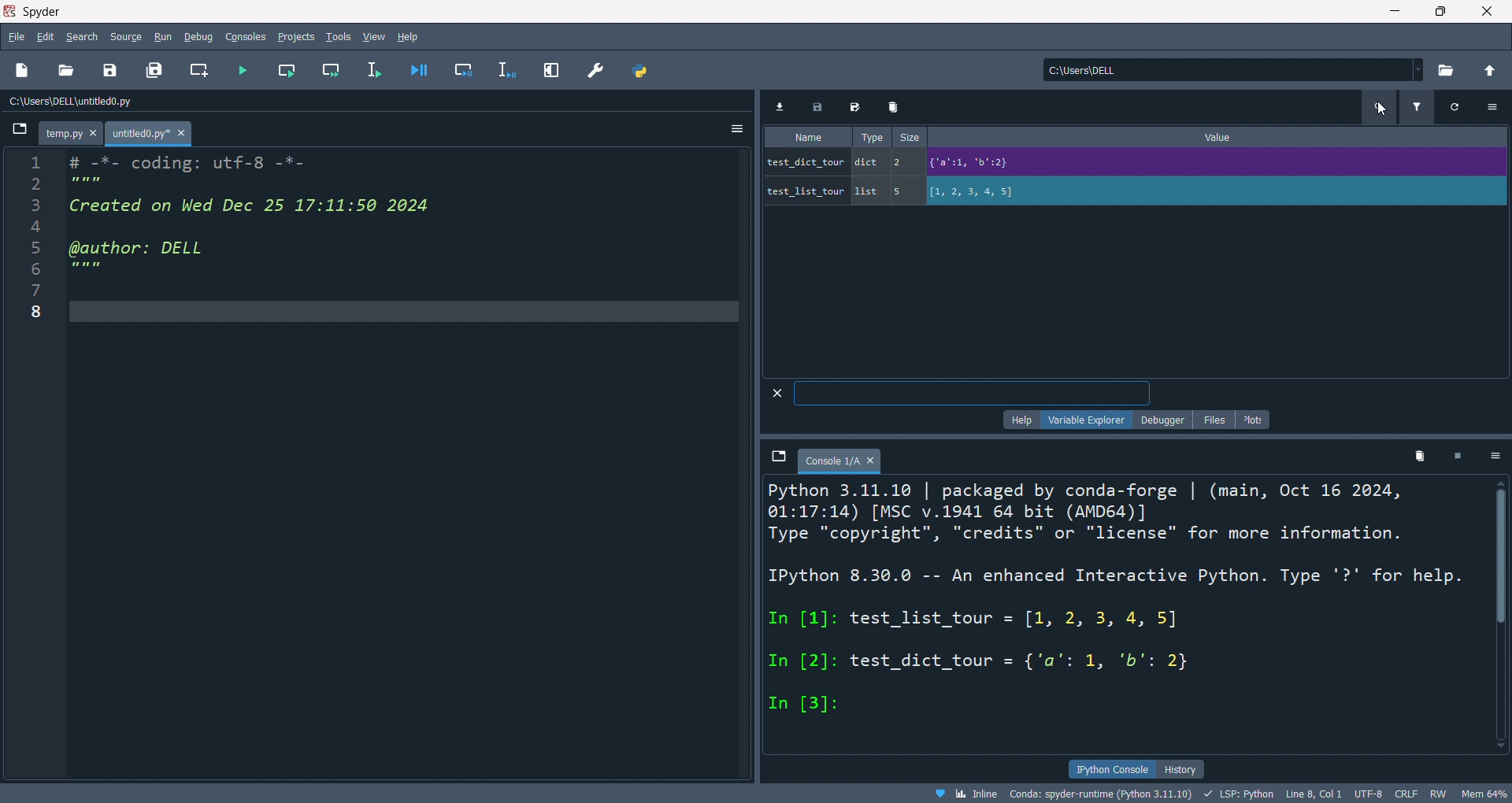 The height and width of the screenshot is (803, 1512). I want to click on file, so click(14, 37).